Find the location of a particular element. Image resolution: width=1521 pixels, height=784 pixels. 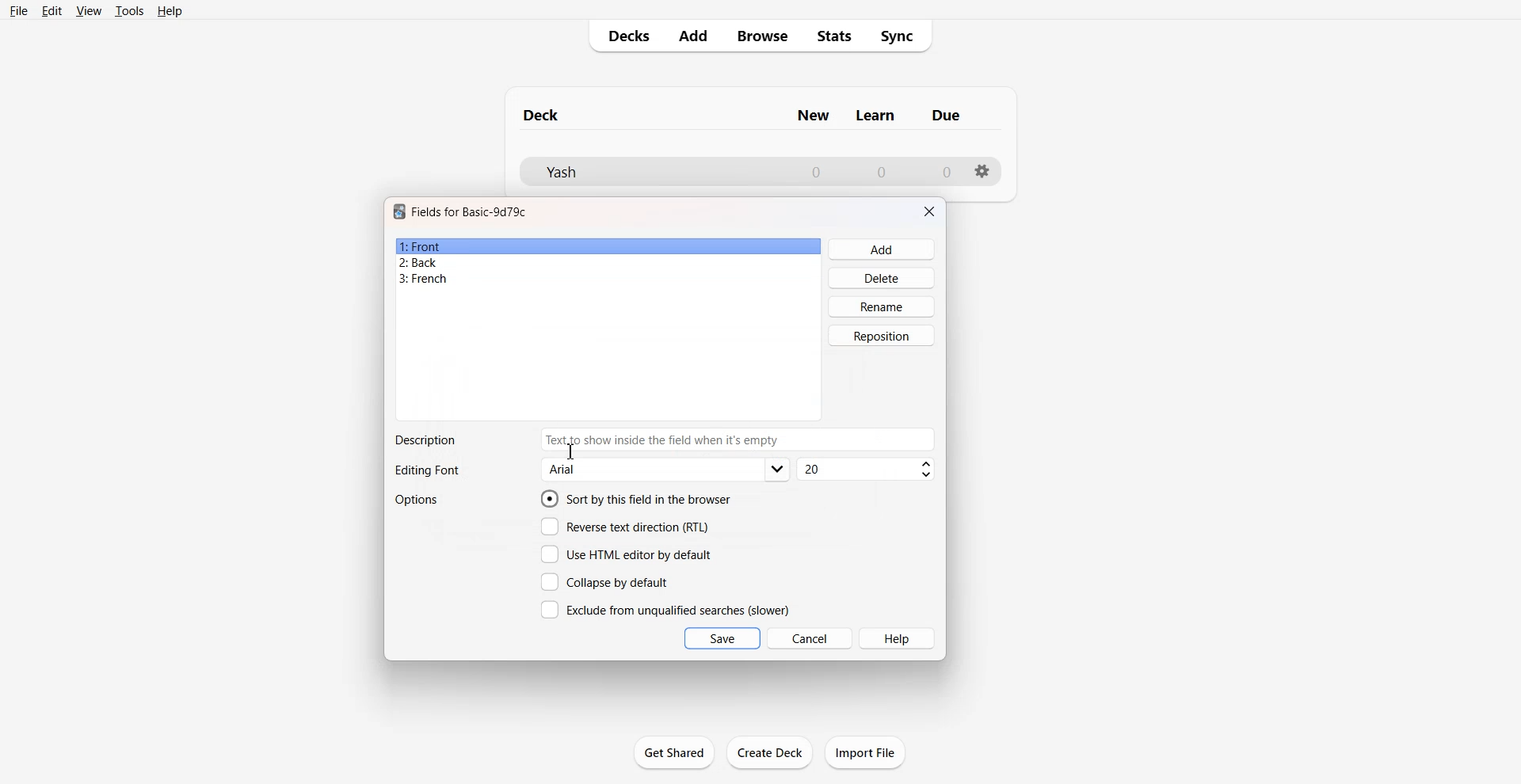

Text is located at coordinates (425, 440).